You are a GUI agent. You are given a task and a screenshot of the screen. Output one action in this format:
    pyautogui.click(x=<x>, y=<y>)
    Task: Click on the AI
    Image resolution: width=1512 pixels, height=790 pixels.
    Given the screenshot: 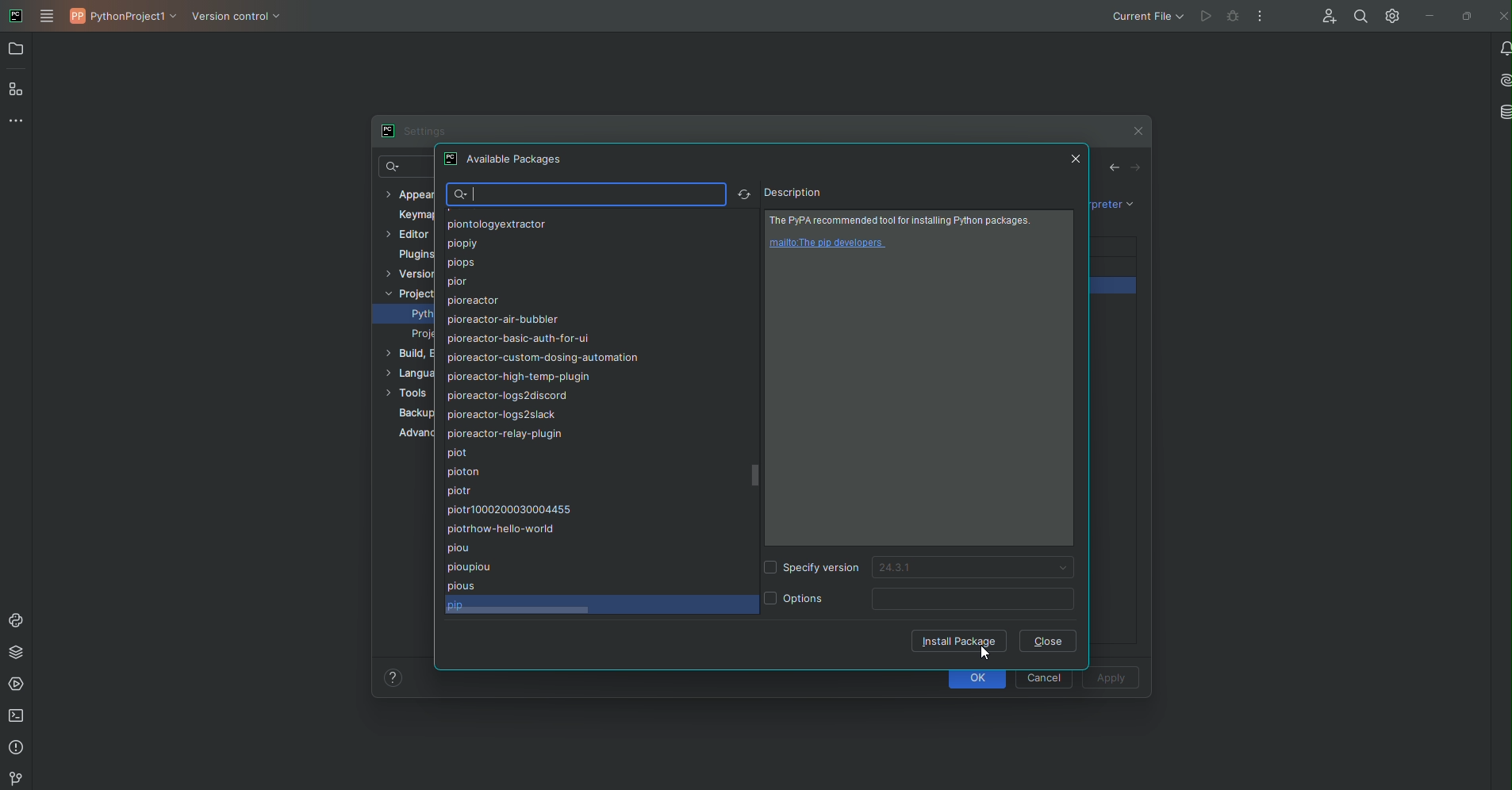 What is the action you would take?
    pyautogui.click(x=1502, y=80)
    